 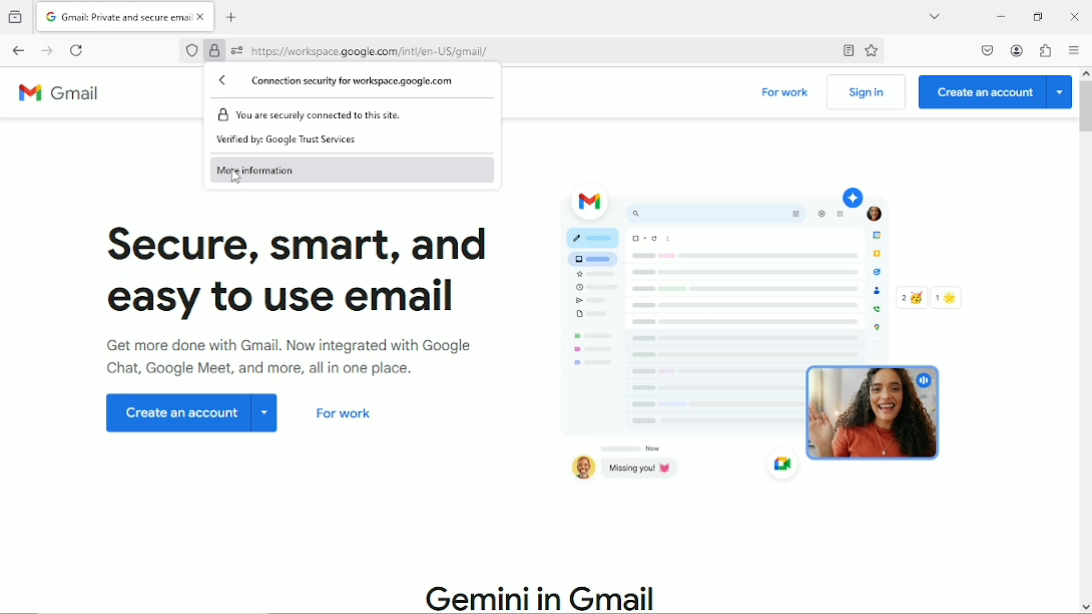 I want to click on New tab, so click(x=233, y=15).